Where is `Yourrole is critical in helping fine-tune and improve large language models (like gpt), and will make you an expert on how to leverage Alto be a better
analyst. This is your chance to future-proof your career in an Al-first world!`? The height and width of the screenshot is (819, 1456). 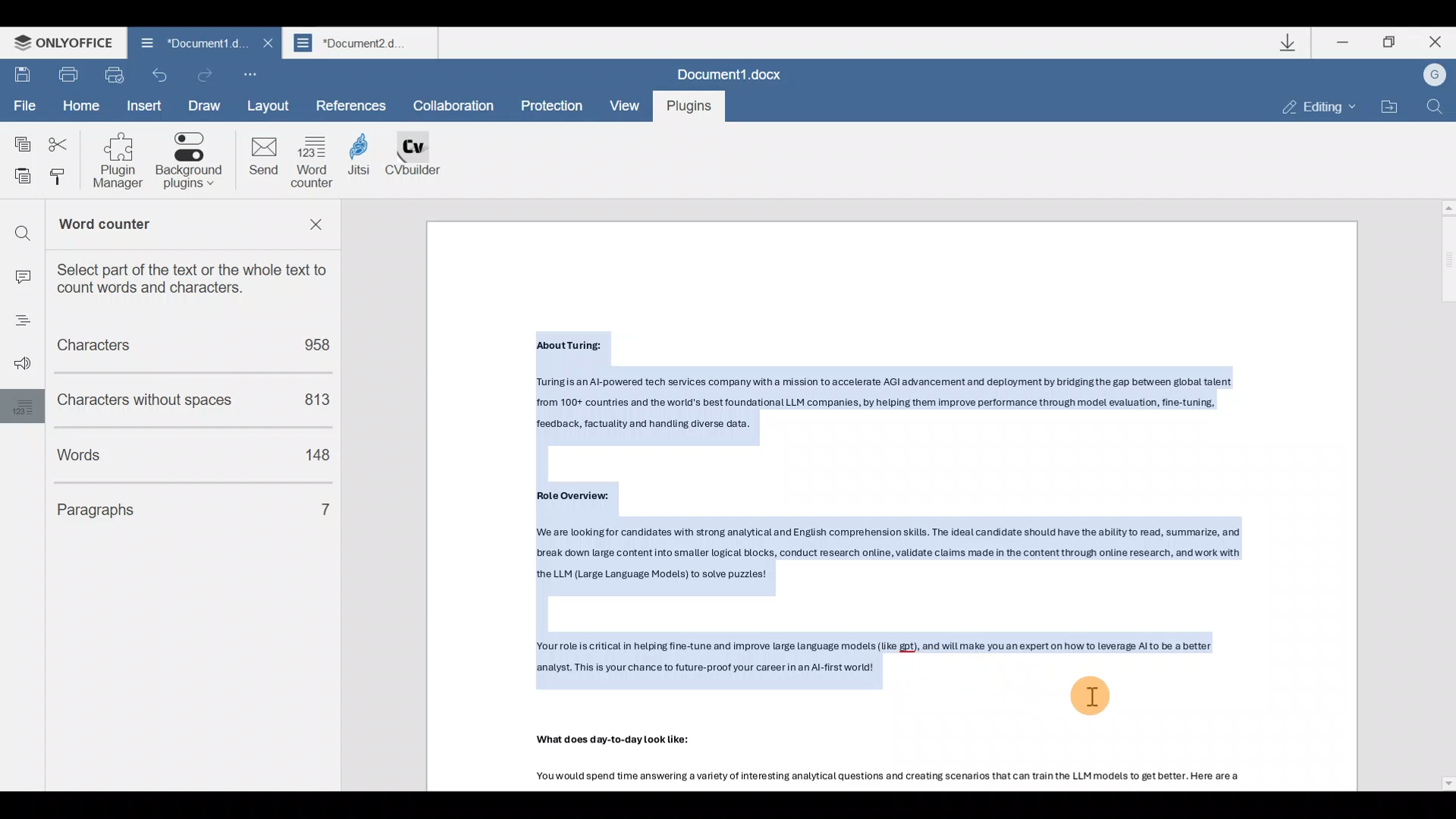
Yourrole is critical in helping fine-tune and improve large language models (like gpt), and will make you an expert on how to leverage Alto be a better
analyst. This is your chance to future-proof your career in an Al-first world! is located at coordinates (915, 659).